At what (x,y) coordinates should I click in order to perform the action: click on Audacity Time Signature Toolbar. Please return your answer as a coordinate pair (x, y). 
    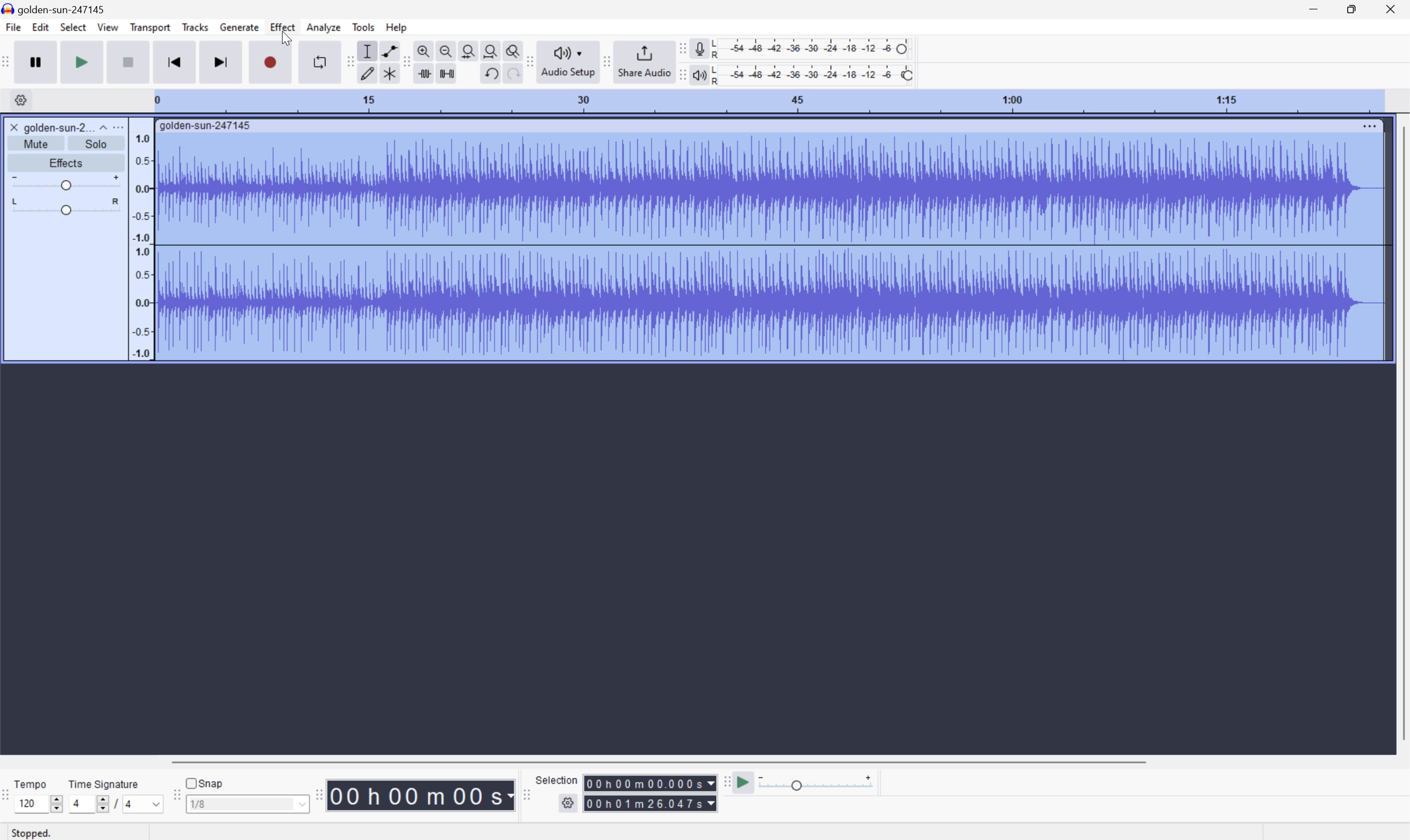
    Looking at the image, I should click on (9, 798).